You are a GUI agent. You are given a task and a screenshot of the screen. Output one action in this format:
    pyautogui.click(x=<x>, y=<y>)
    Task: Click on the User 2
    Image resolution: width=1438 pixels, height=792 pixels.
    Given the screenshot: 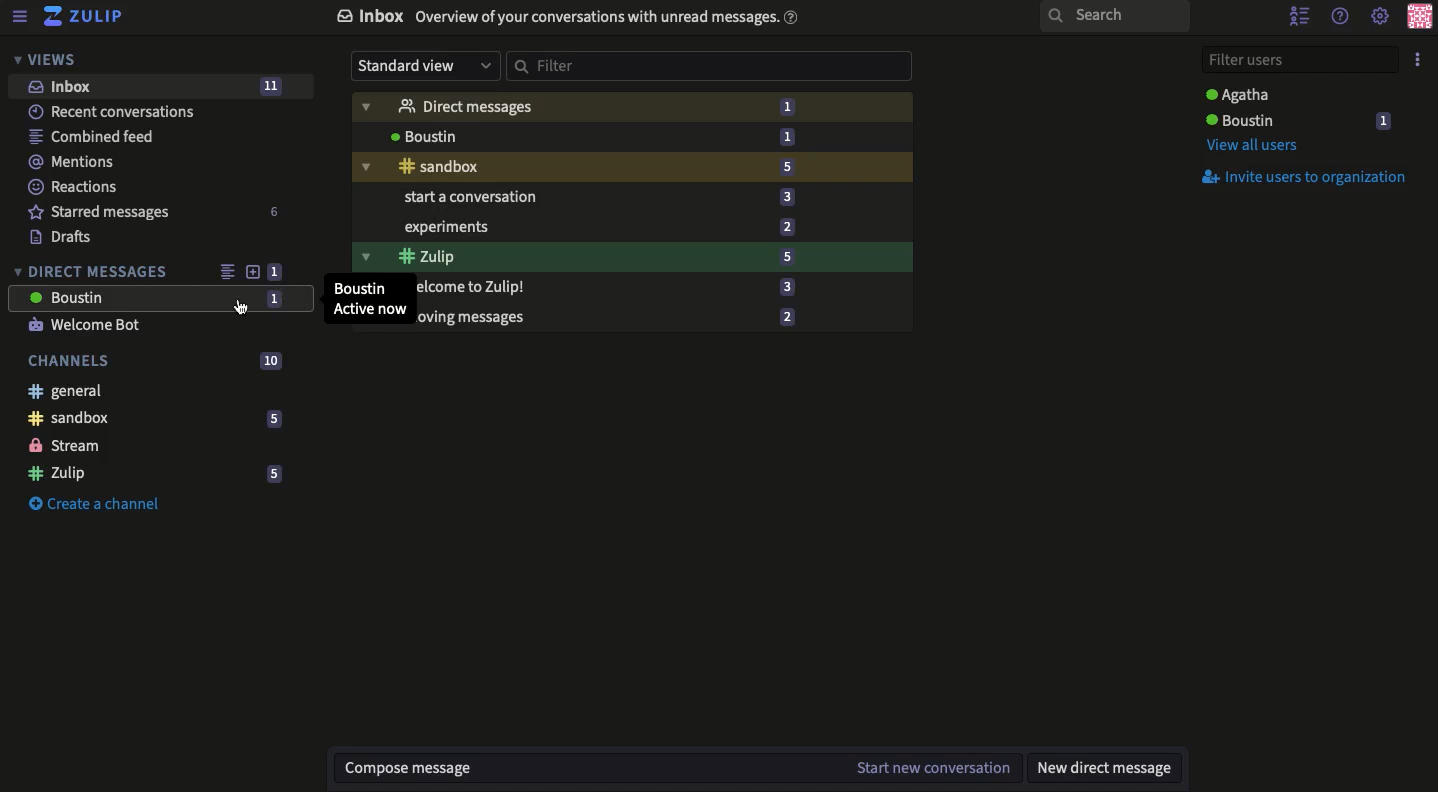 What is the action you would take?
    pyautogui.click(x=1301, y=121)
    